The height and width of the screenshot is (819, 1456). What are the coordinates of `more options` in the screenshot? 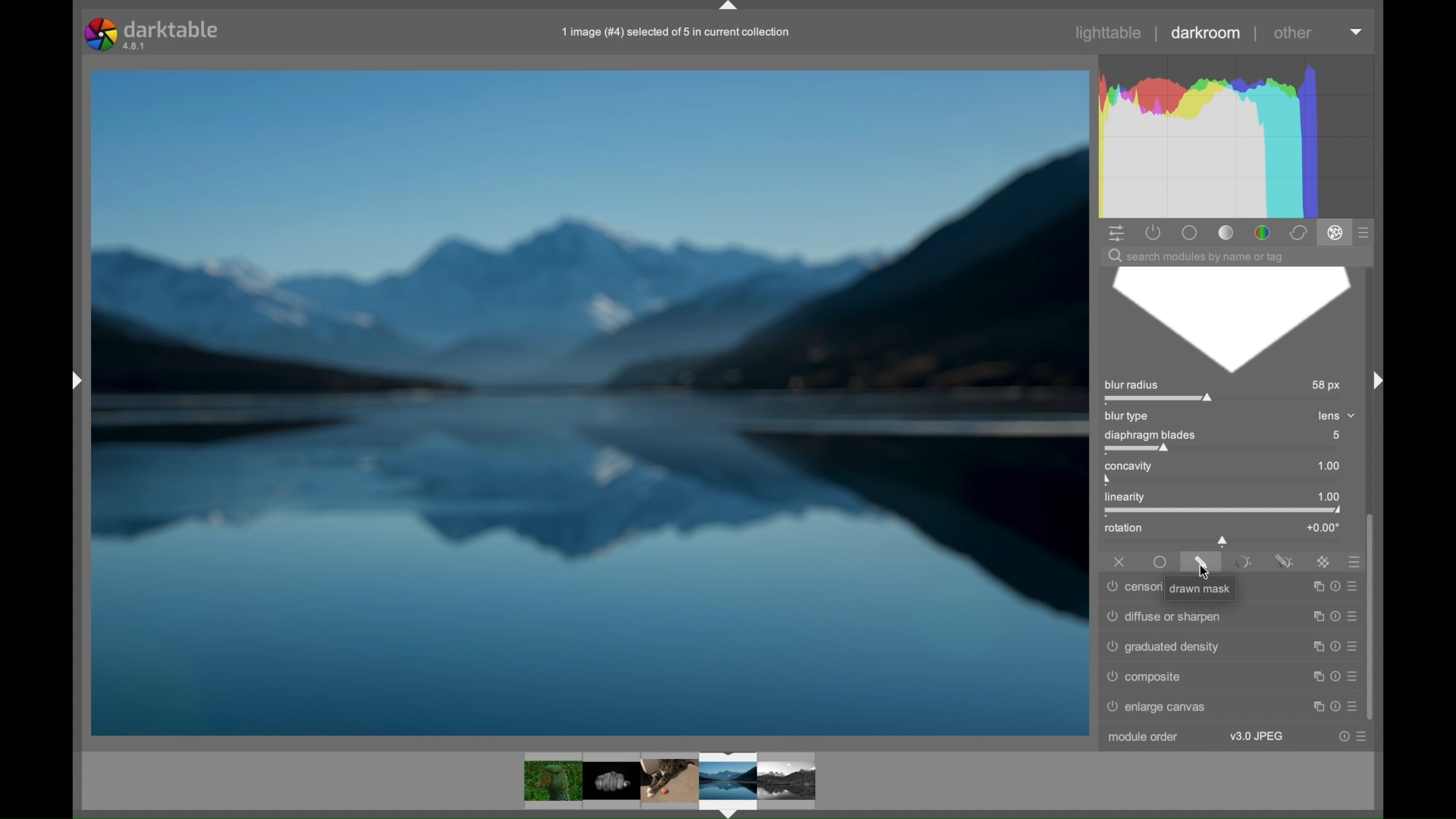 It's located at (1352, 644).